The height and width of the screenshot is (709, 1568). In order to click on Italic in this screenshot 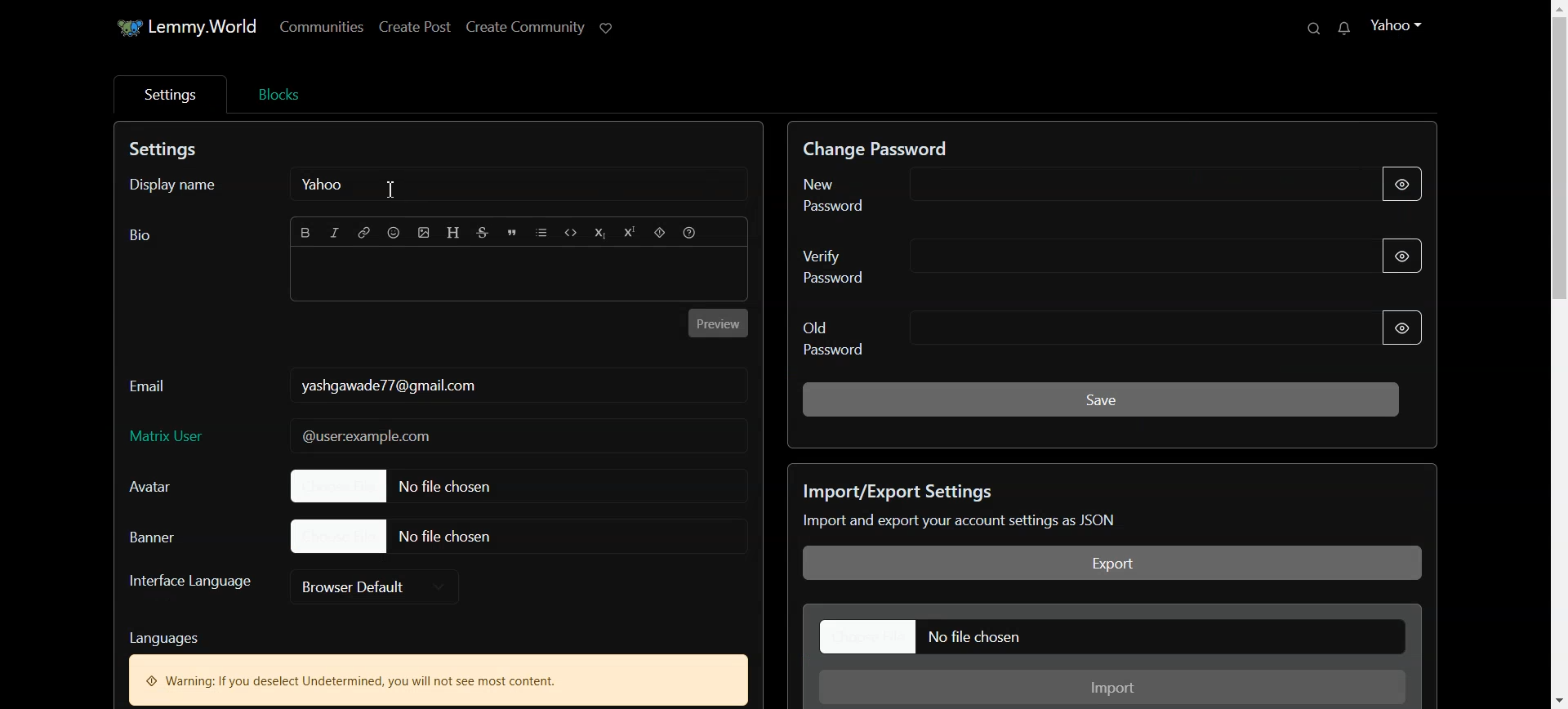, I will do `click(336, 234)`.